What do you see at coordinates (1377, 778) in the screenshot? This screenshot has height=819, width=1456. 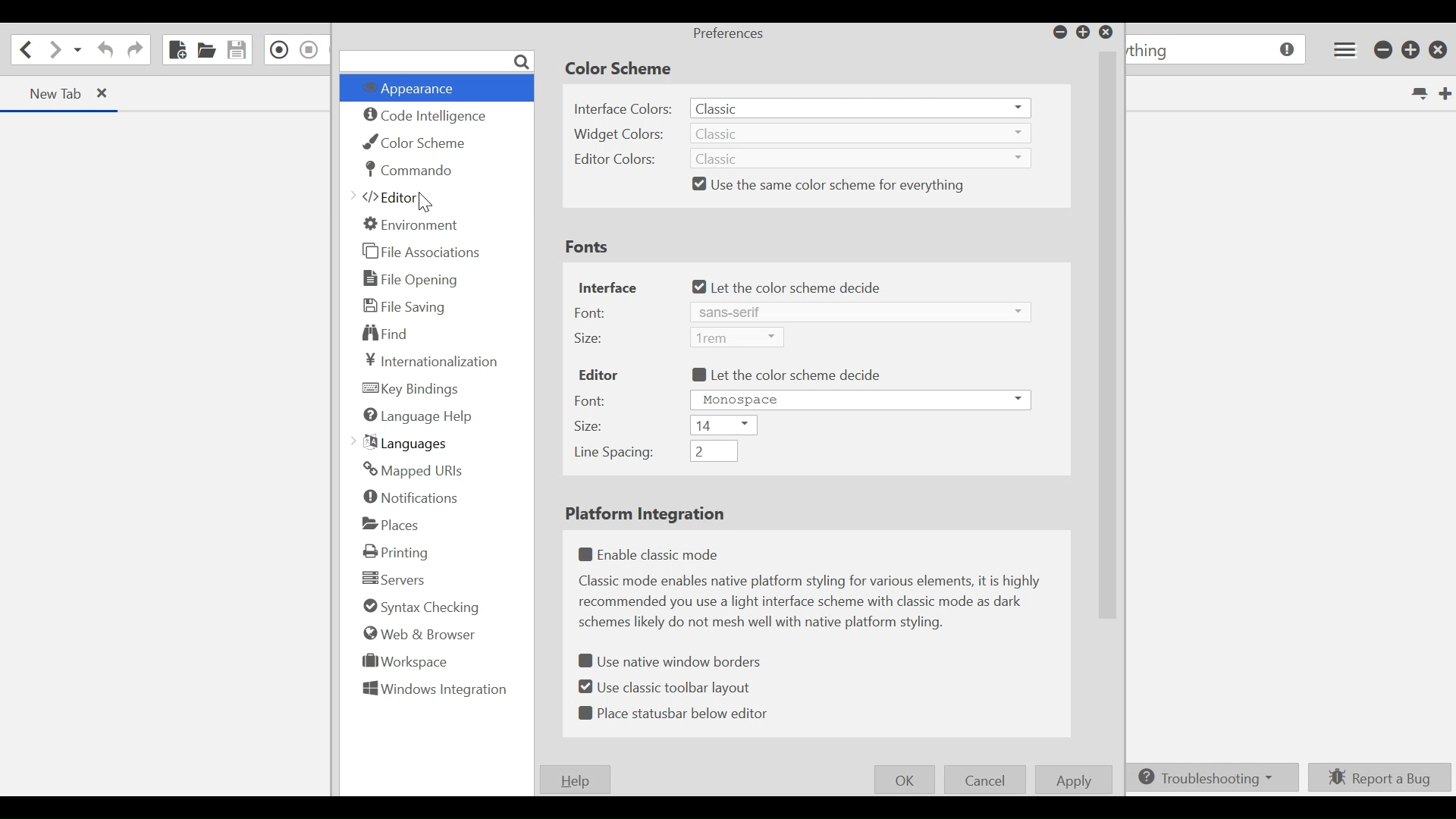 I see `Report a bug` at bounding box center [1377, 778].